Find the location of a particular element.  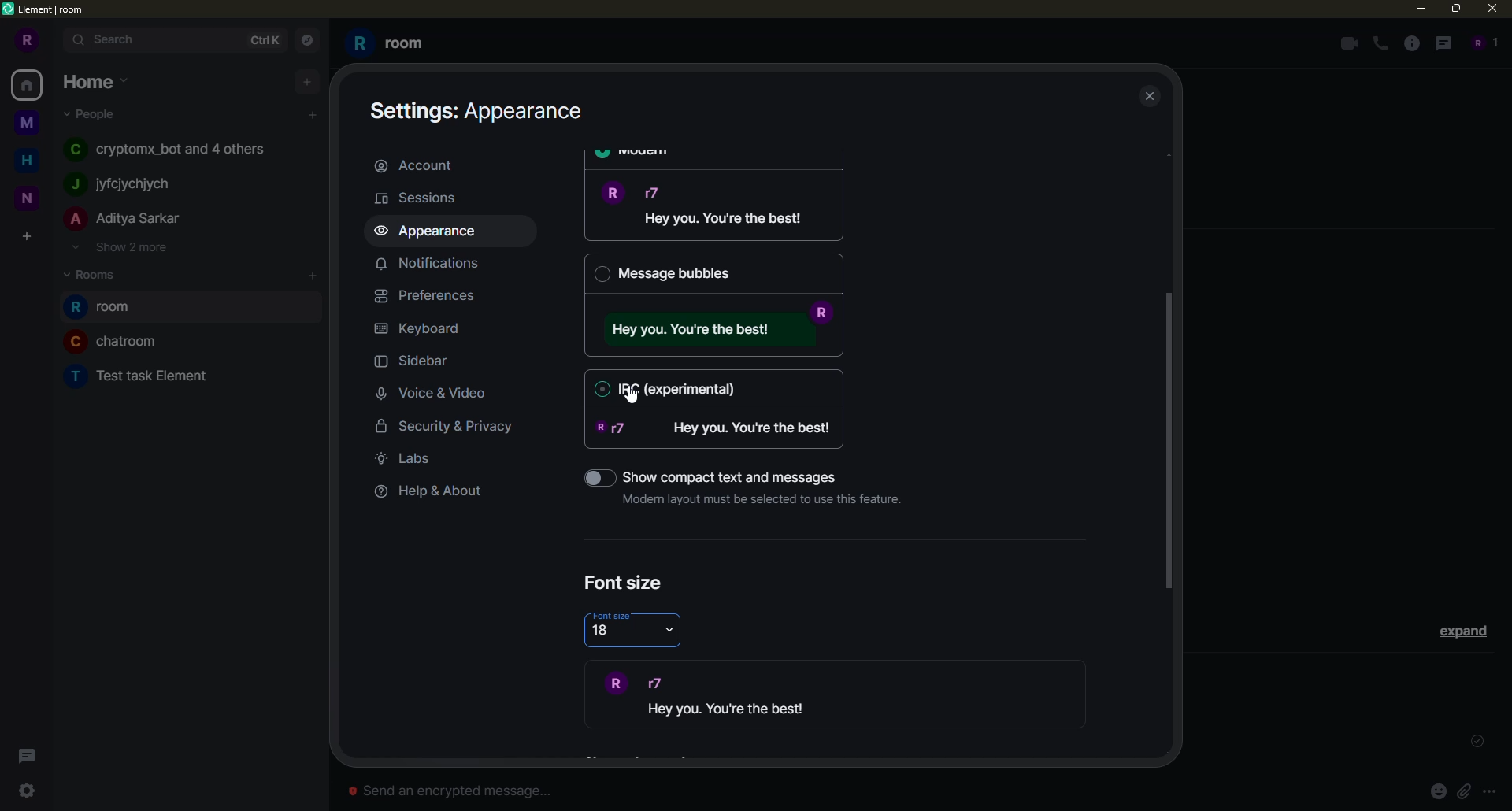

message is located at coordinates (713, 205).